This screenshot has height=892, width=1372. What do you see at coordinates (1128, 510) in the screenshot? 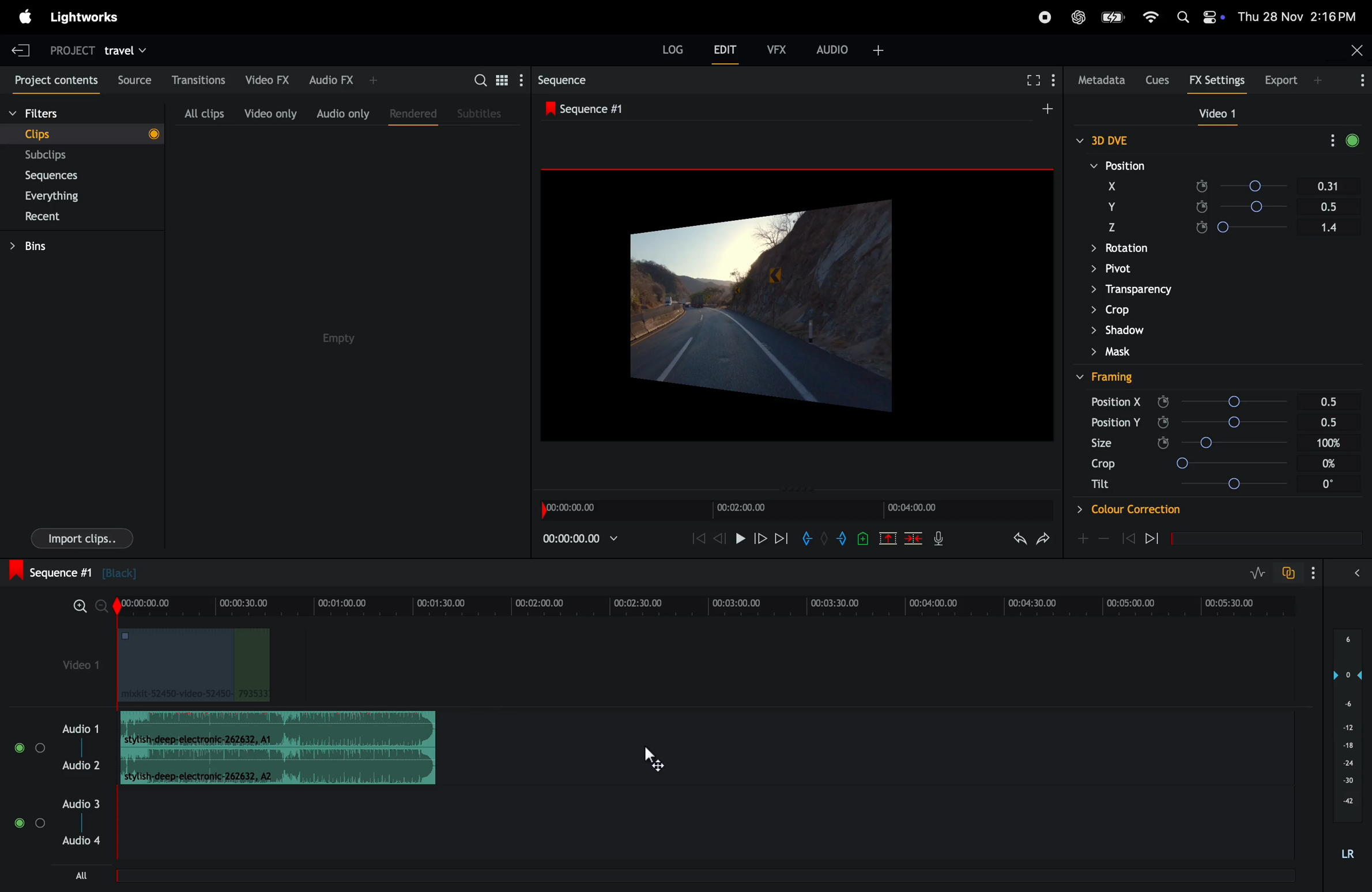
I see `` at bounding box center [1128, 510].